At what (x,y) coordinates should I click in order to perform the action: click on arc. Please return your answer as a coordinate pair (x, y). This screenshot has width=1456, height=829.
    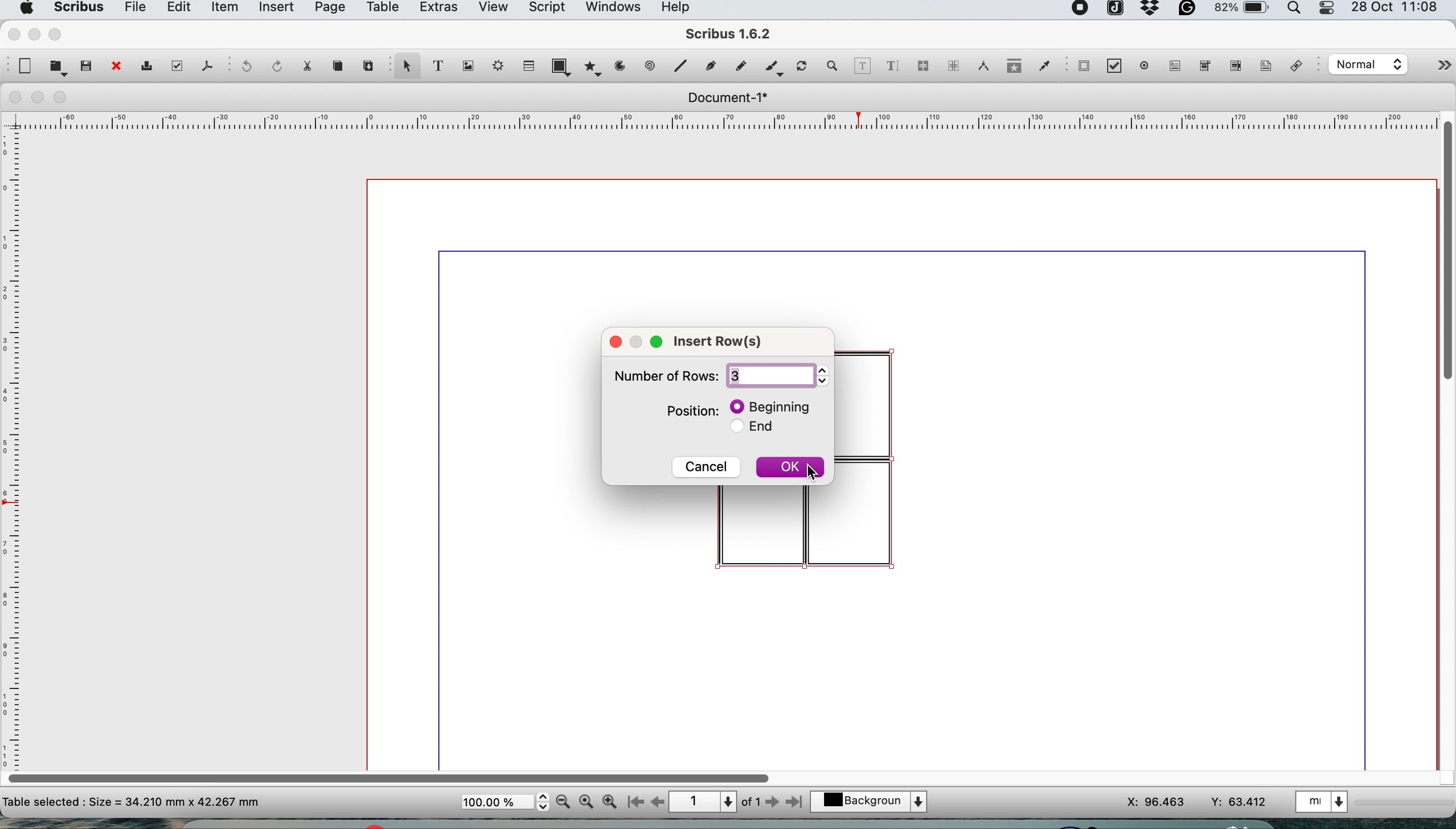
    Looking at the image, I should click on (624, 66).